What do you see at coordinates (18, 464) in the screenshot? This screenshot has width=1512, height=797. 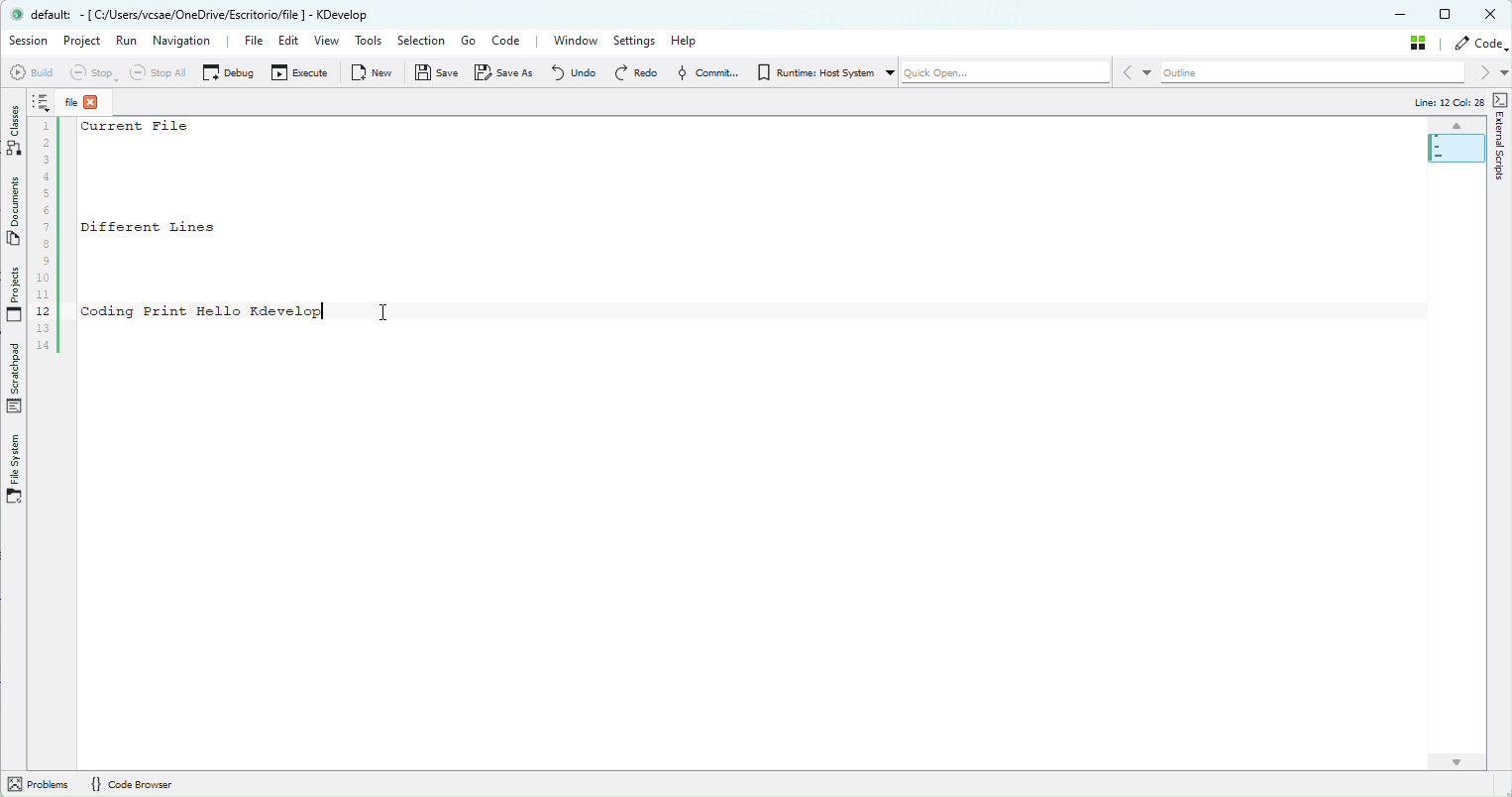 I see `File System` at bounding box center [18, 464].